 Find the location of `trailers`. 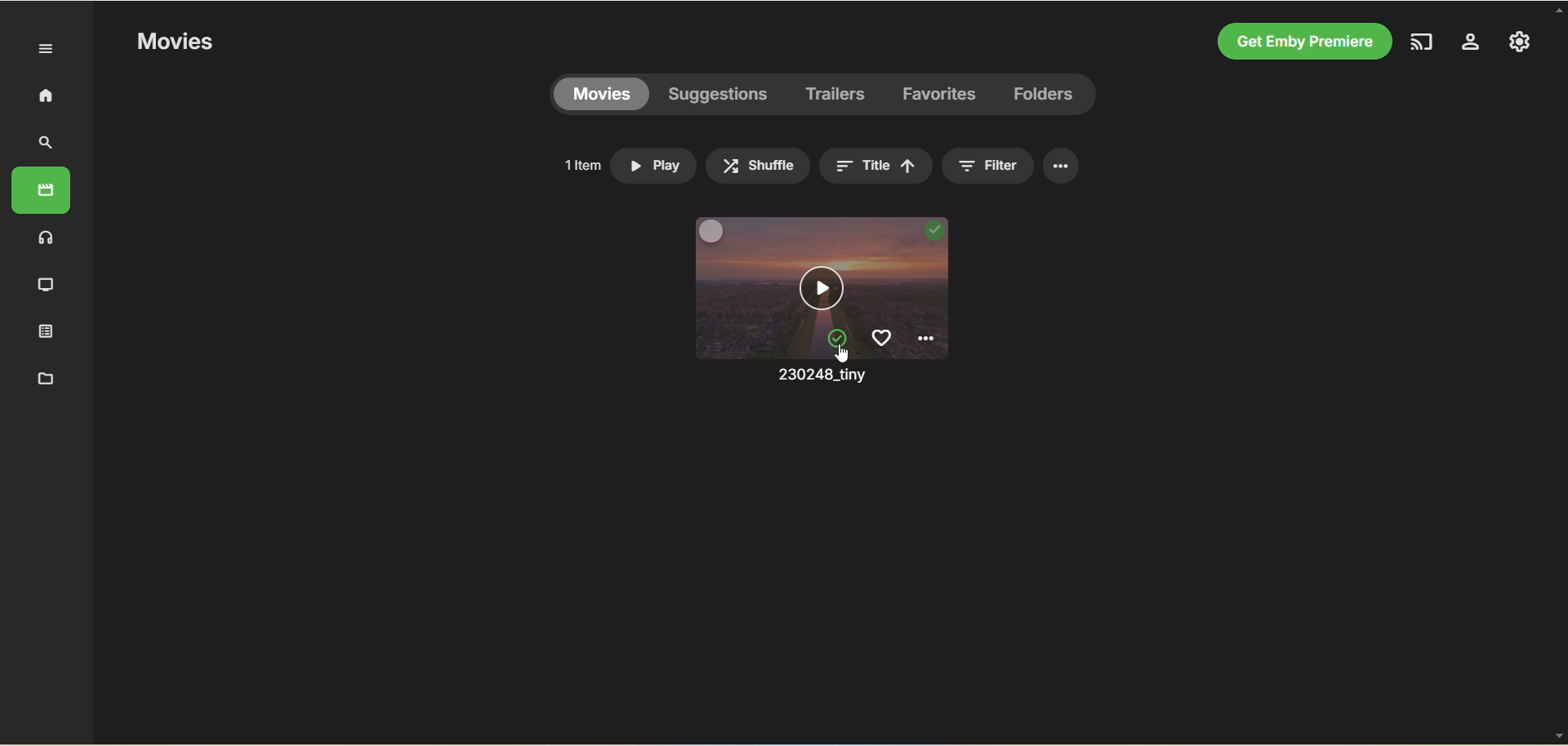

trailers is located at coordinates (836, 93).